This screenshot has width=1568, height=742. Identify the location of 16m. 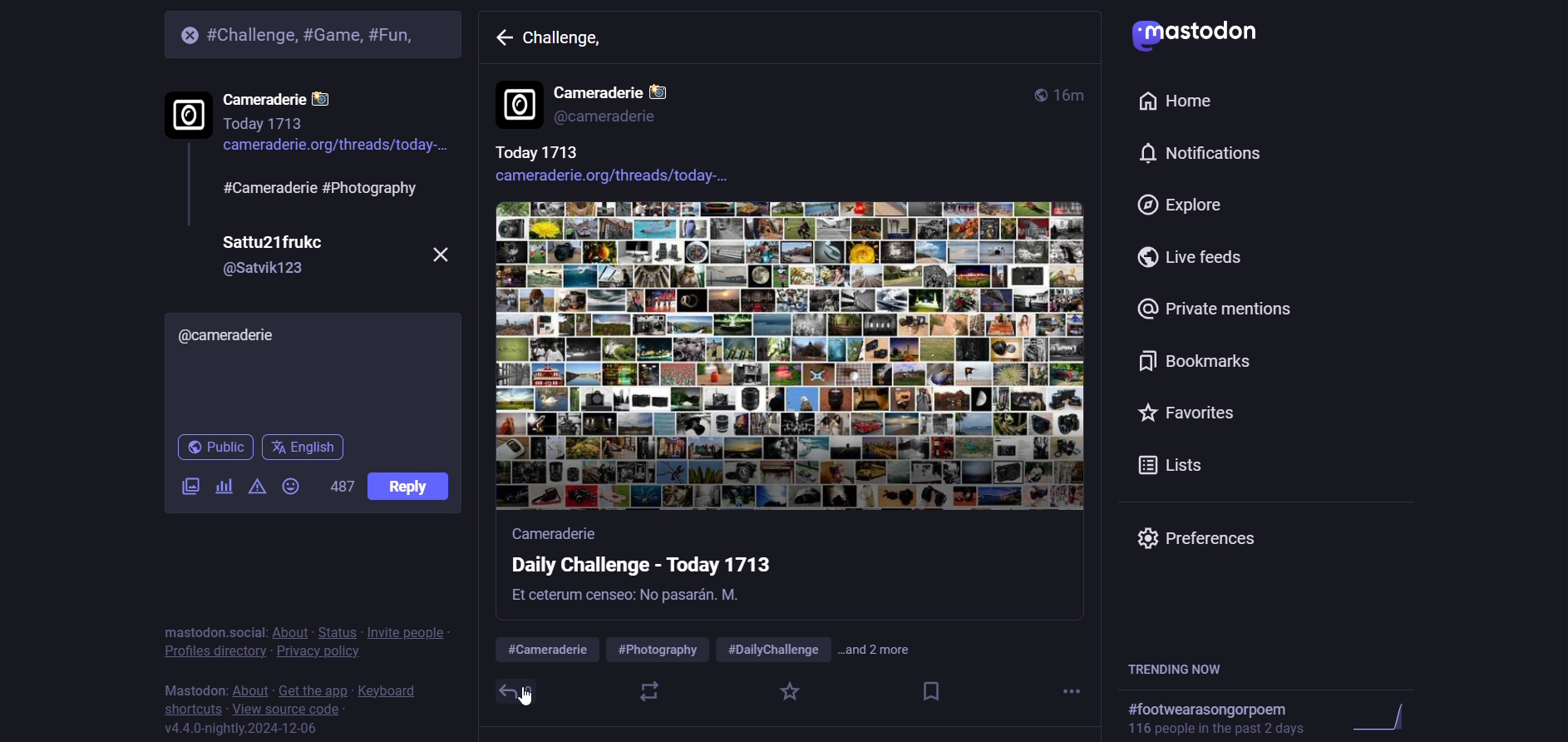
(1073, 96).